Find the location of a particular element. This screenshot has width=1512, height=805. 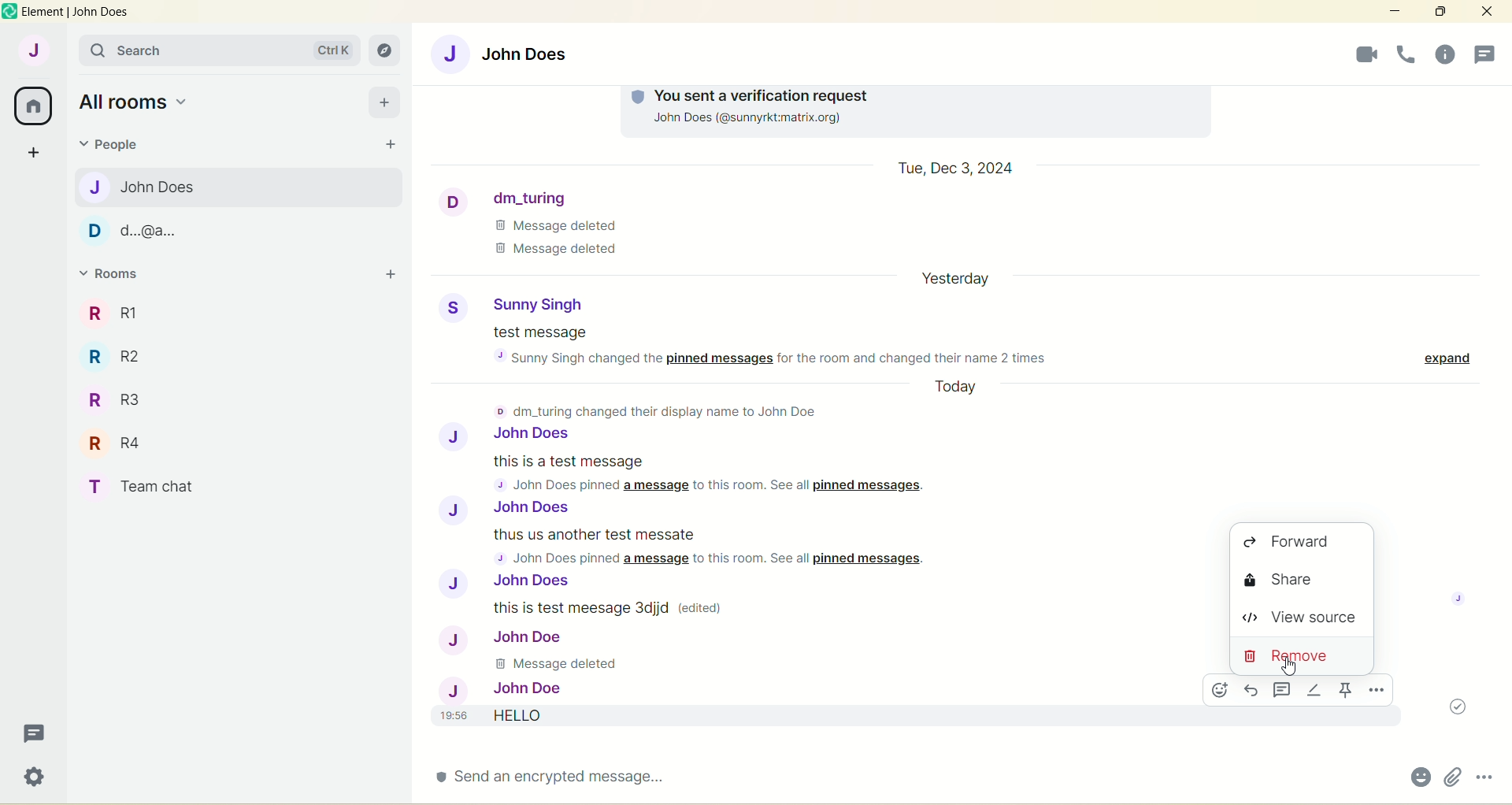

reply is located at coordinates (1253, 691).